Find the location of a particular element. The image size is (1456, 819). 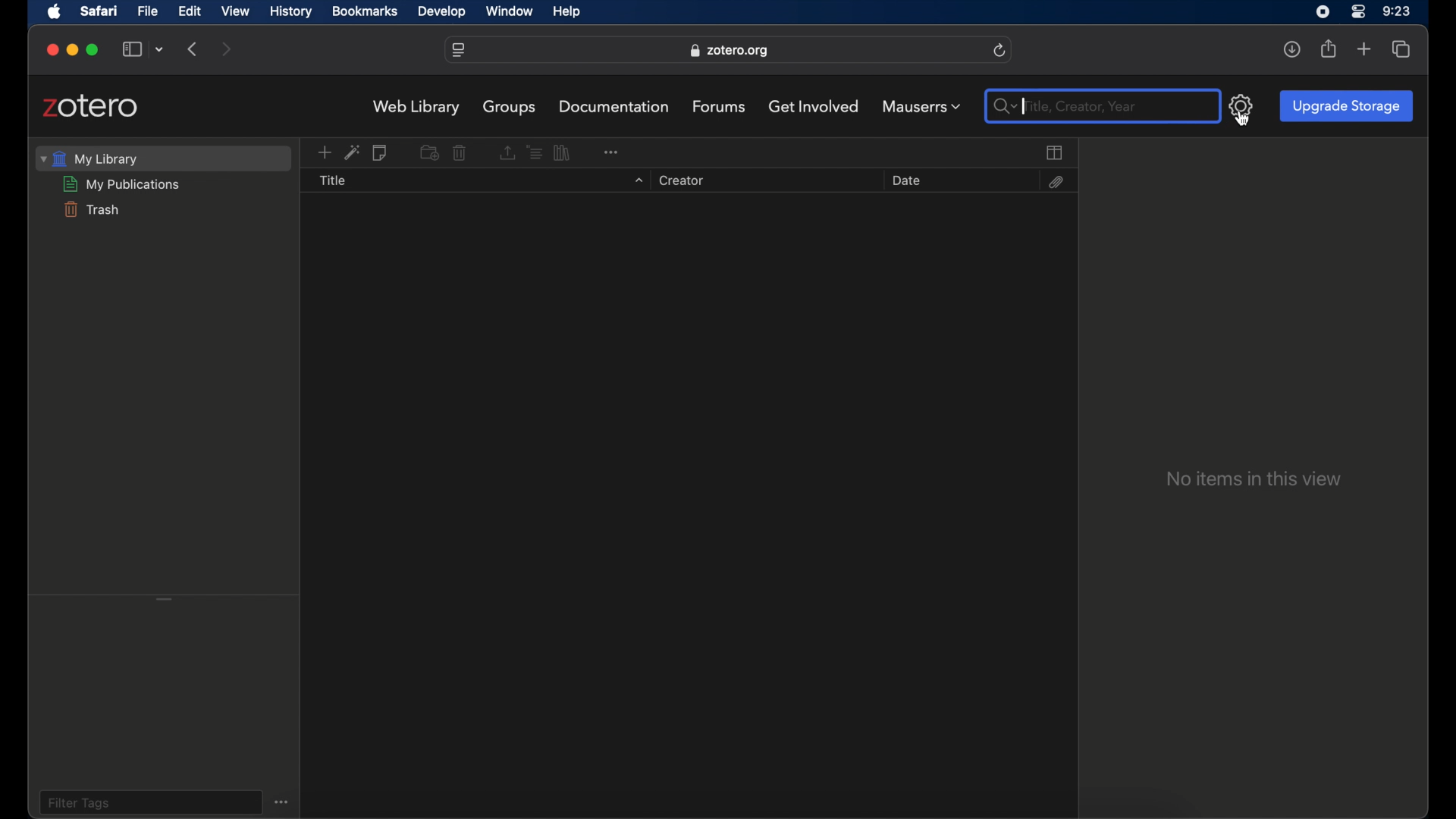

edit is located at coordinates (188, 11).